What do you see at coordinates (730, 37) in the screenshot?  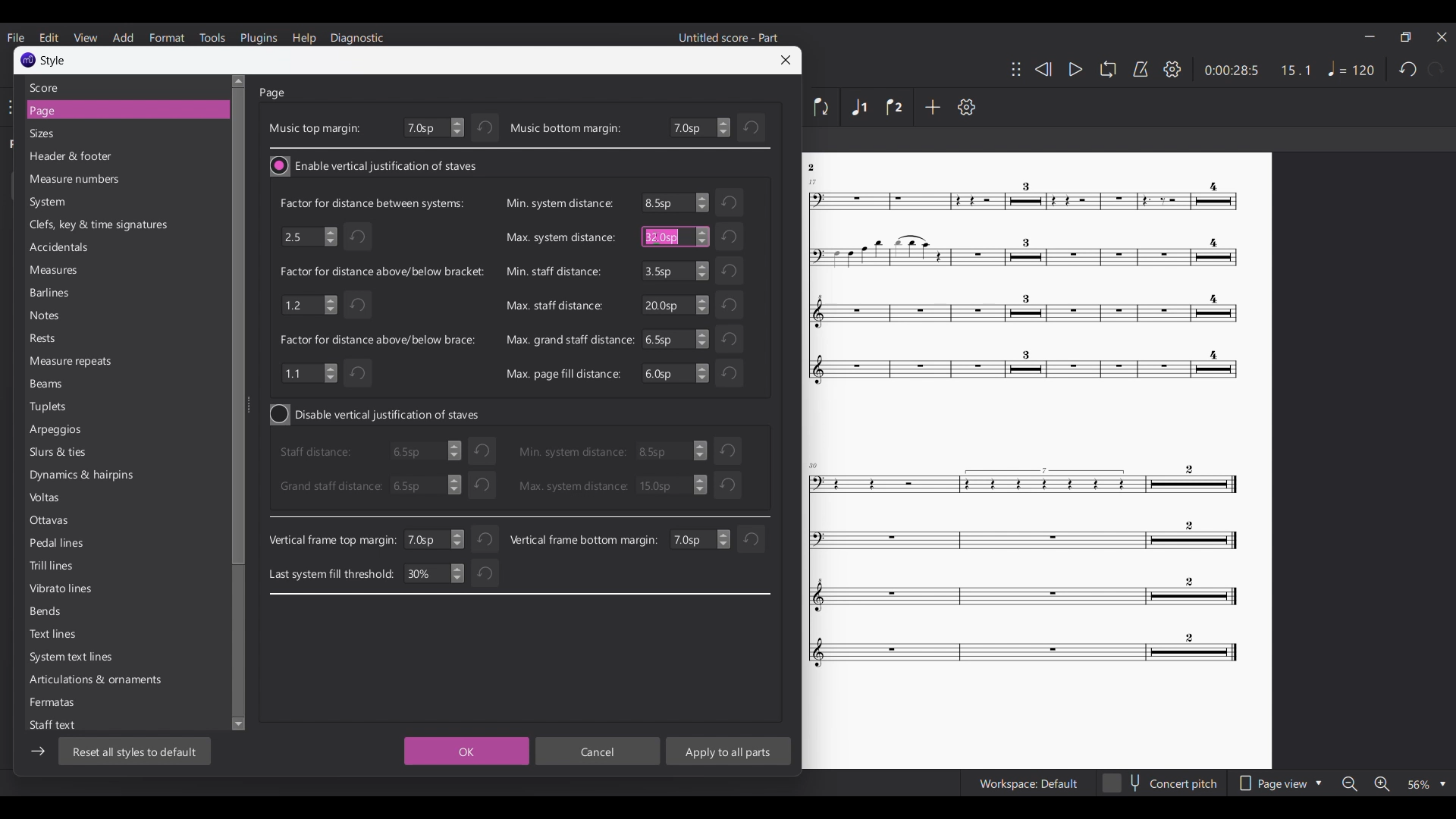 I see `Untitled score - Part` at bounding box center [730, 37].